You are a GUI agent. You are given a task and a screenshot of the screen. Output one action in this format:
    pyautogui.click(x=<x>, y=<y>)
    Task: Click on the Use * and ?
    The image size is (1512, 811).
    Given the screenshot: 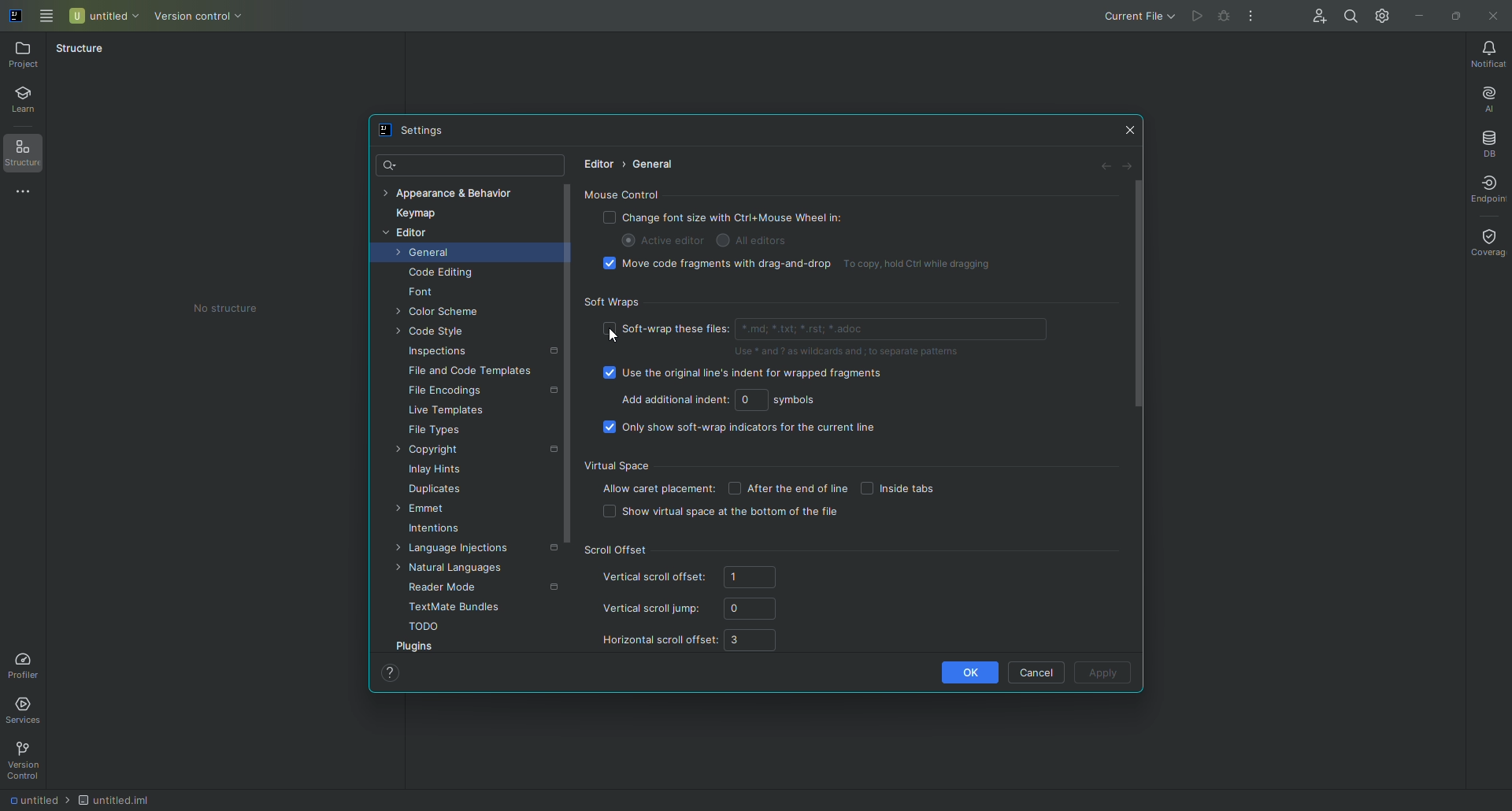 What is the action you would take?
    pyautogui.click(x=851, y=352)
    